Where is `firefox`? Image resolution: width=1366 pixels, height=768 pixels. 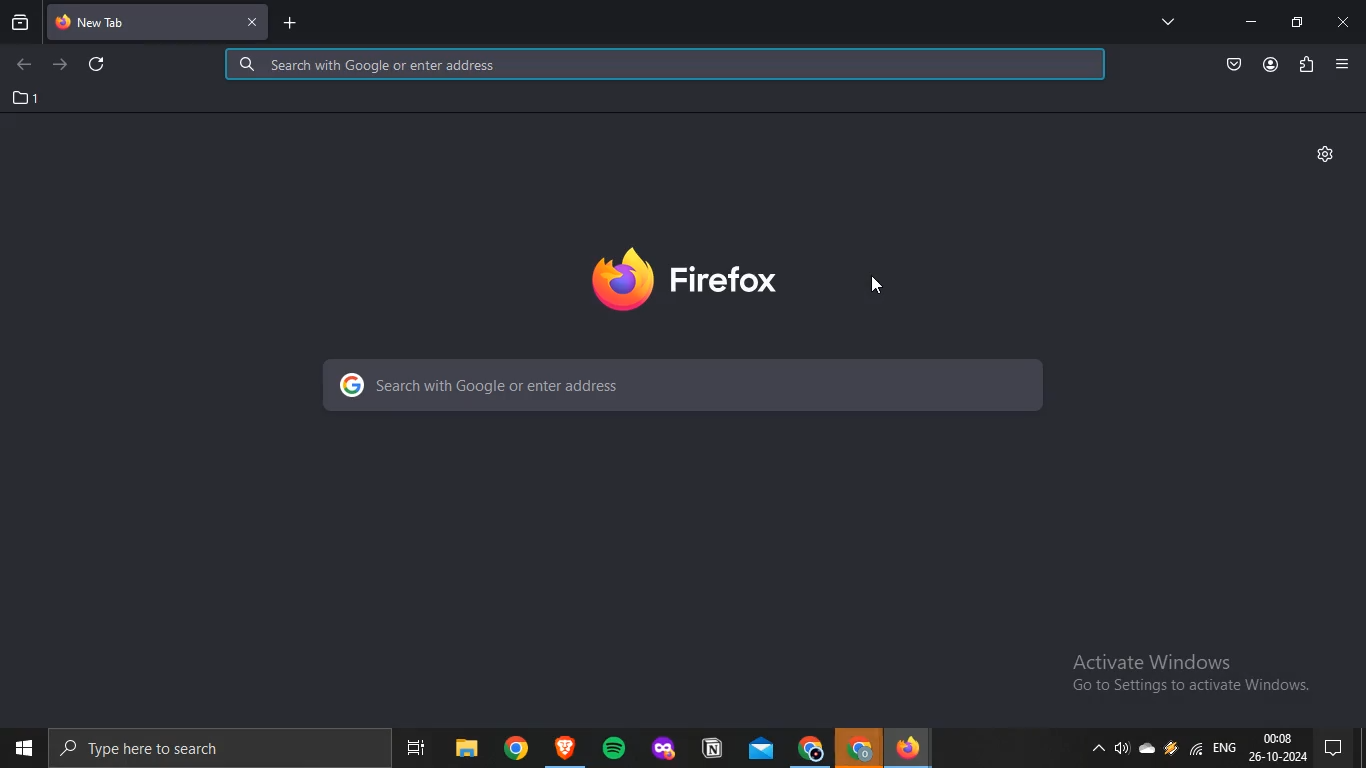 firefox is located at coordinates (915, 747).